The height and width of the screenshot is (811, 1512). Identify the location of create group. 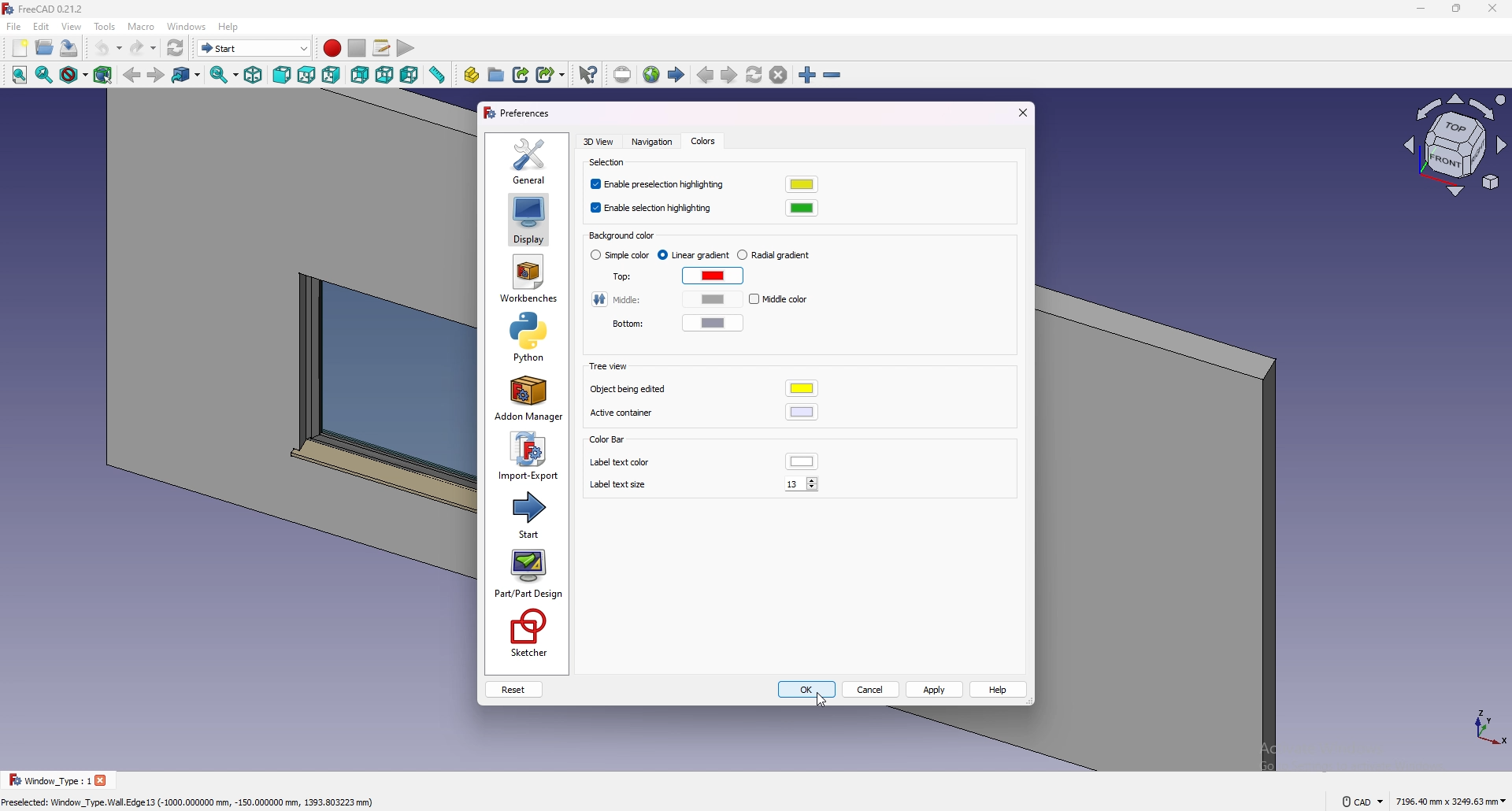
(498, 74).